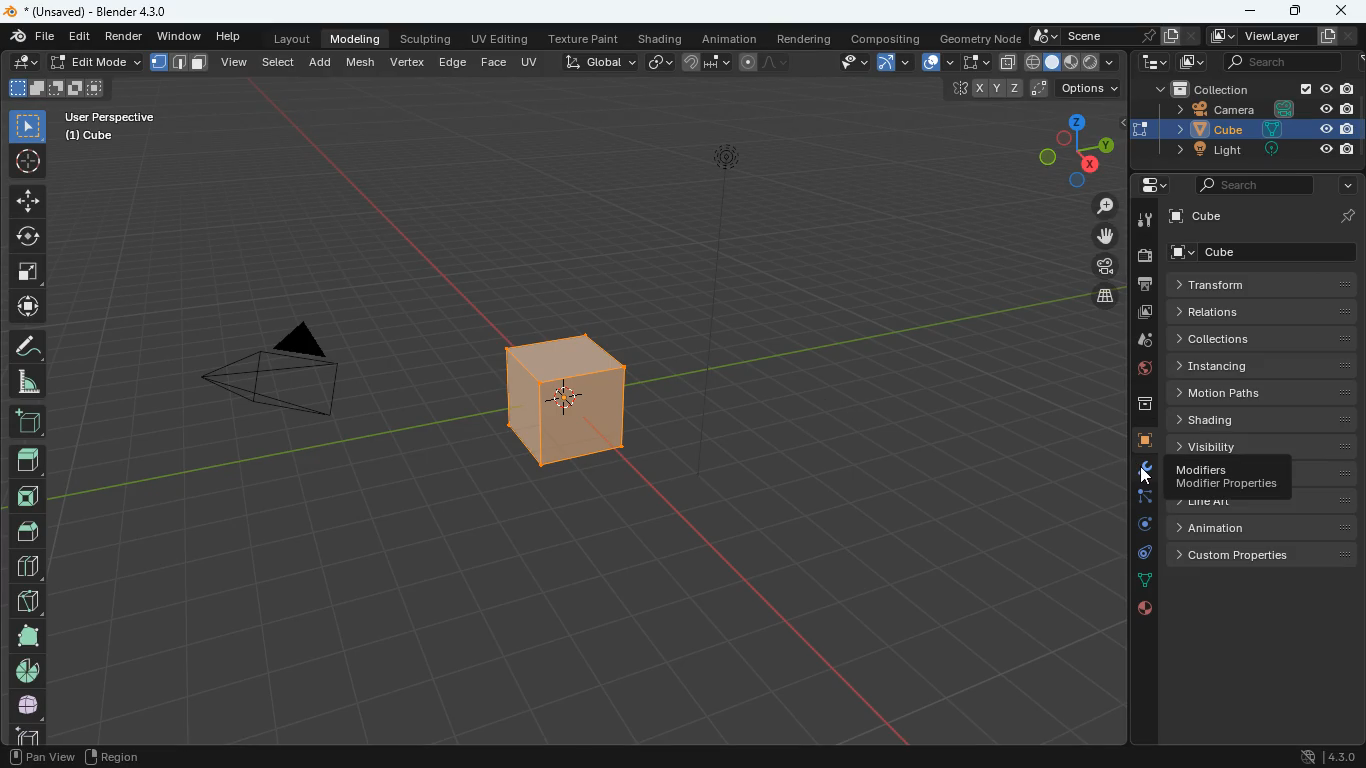 This screenshot has height=768, width=1366. I want to click on shading, so click(662, 37).